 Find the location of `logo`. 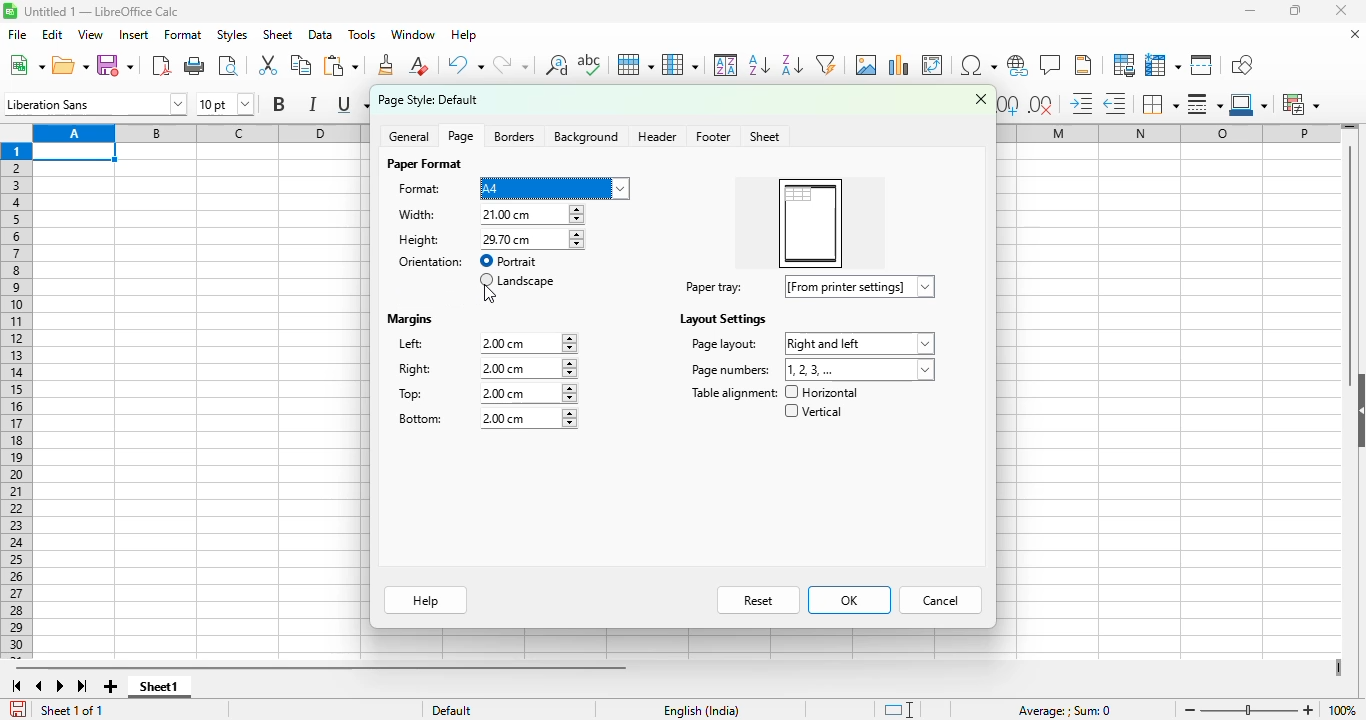

logo is located at coordinates (10, 11).